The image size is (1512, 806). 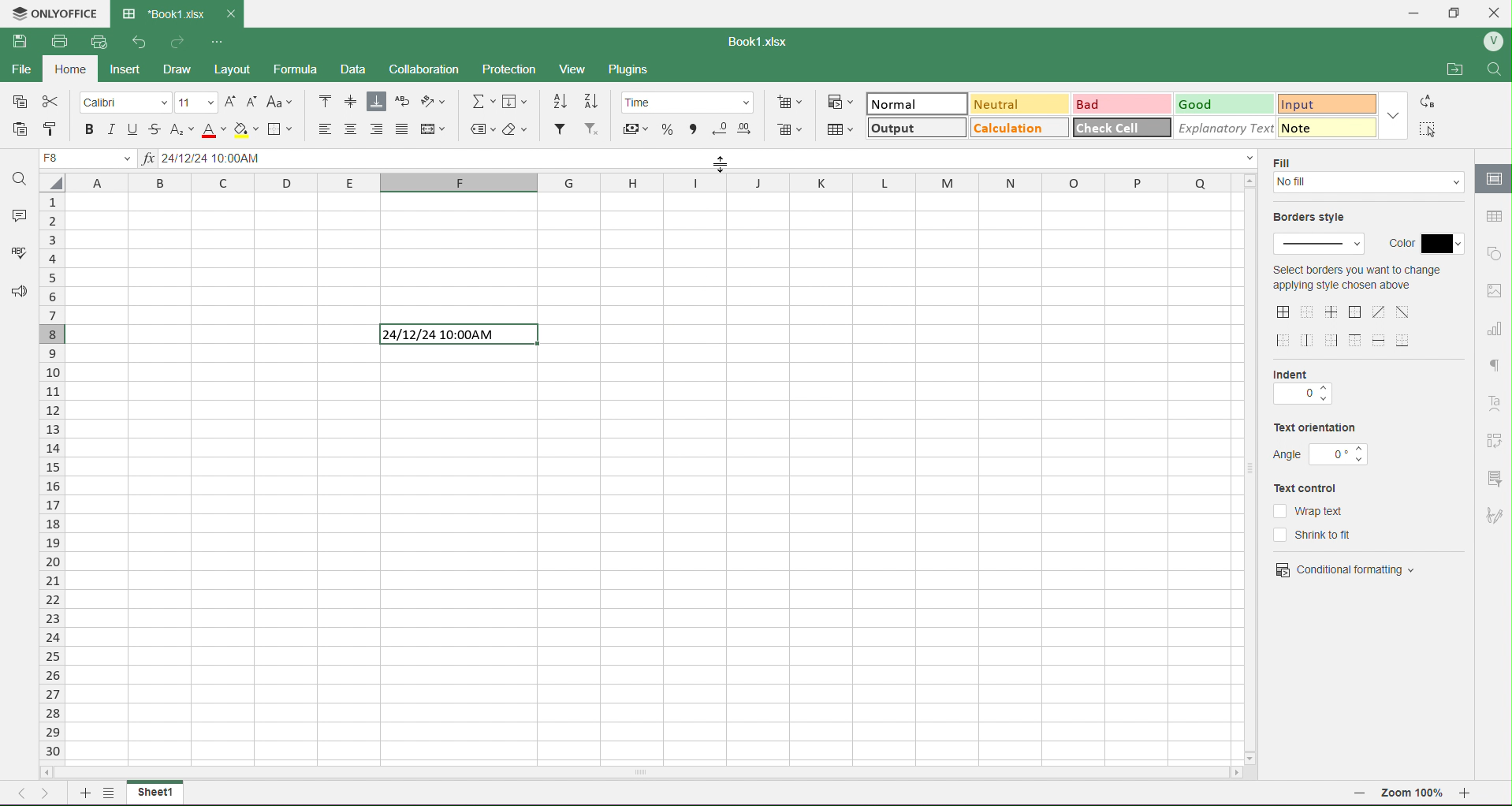 What do you see at coordinates (91, 160) in the screenshot?
I see `Fill Option` at bounding box center [91, 160].